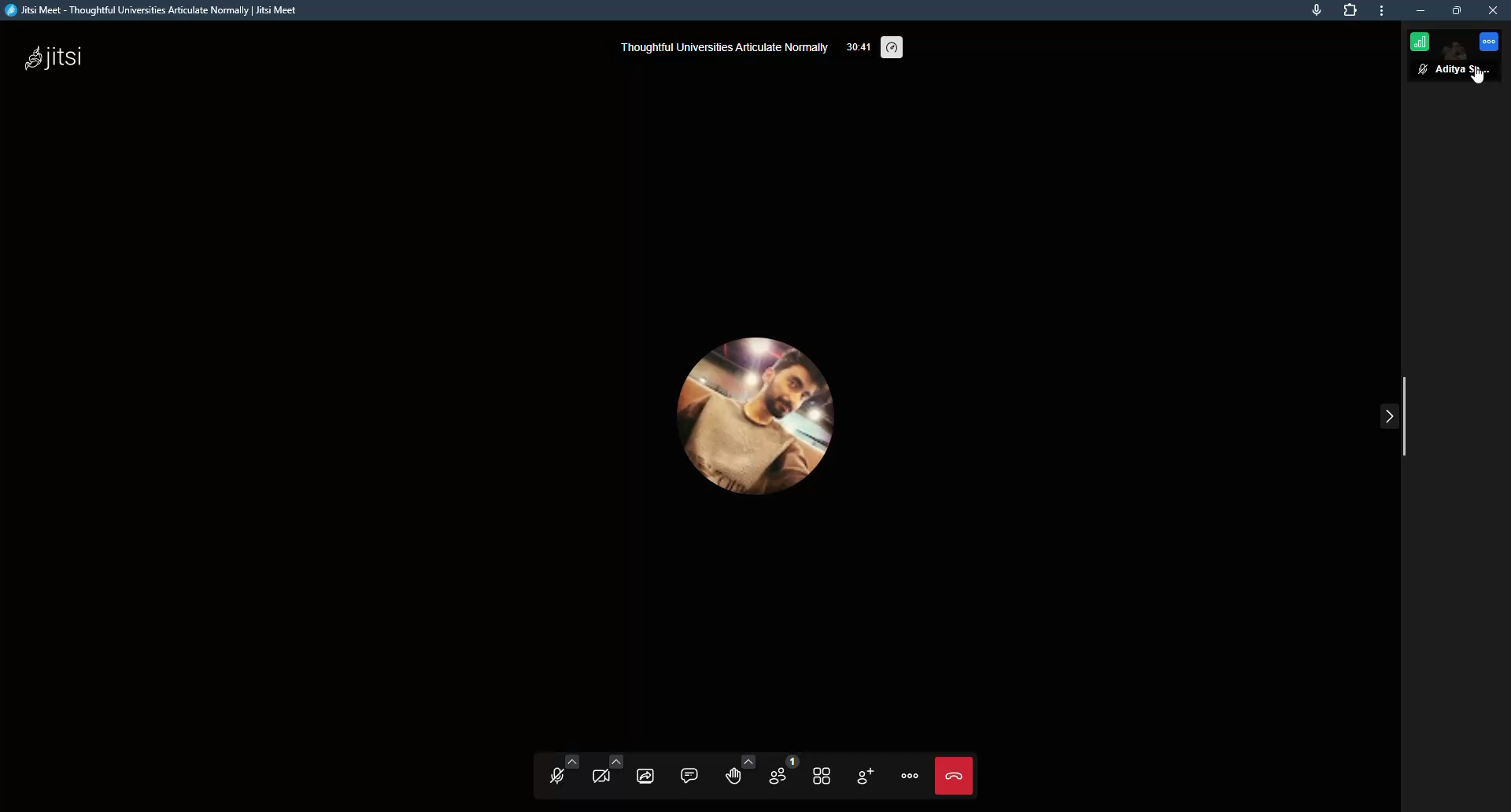 This screenshot has height=812, width=1511. What do you see at coordinates (72, 60) in the screenshot?
I see `jitsi` at bounding box center [72, 60].